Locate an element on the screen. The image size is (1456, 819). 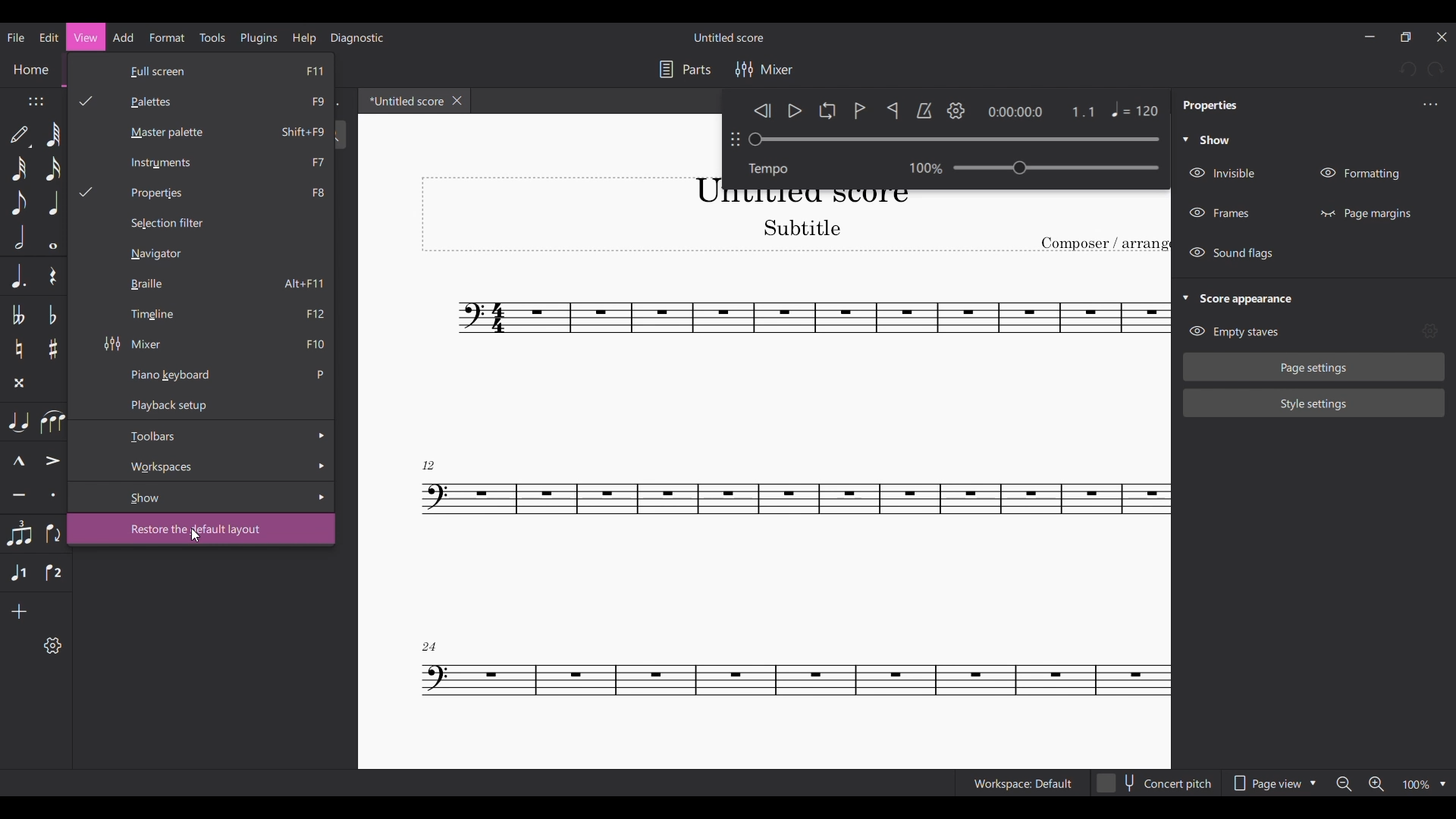
Braille    Alt+F11 is located at coordinates (215, 284).